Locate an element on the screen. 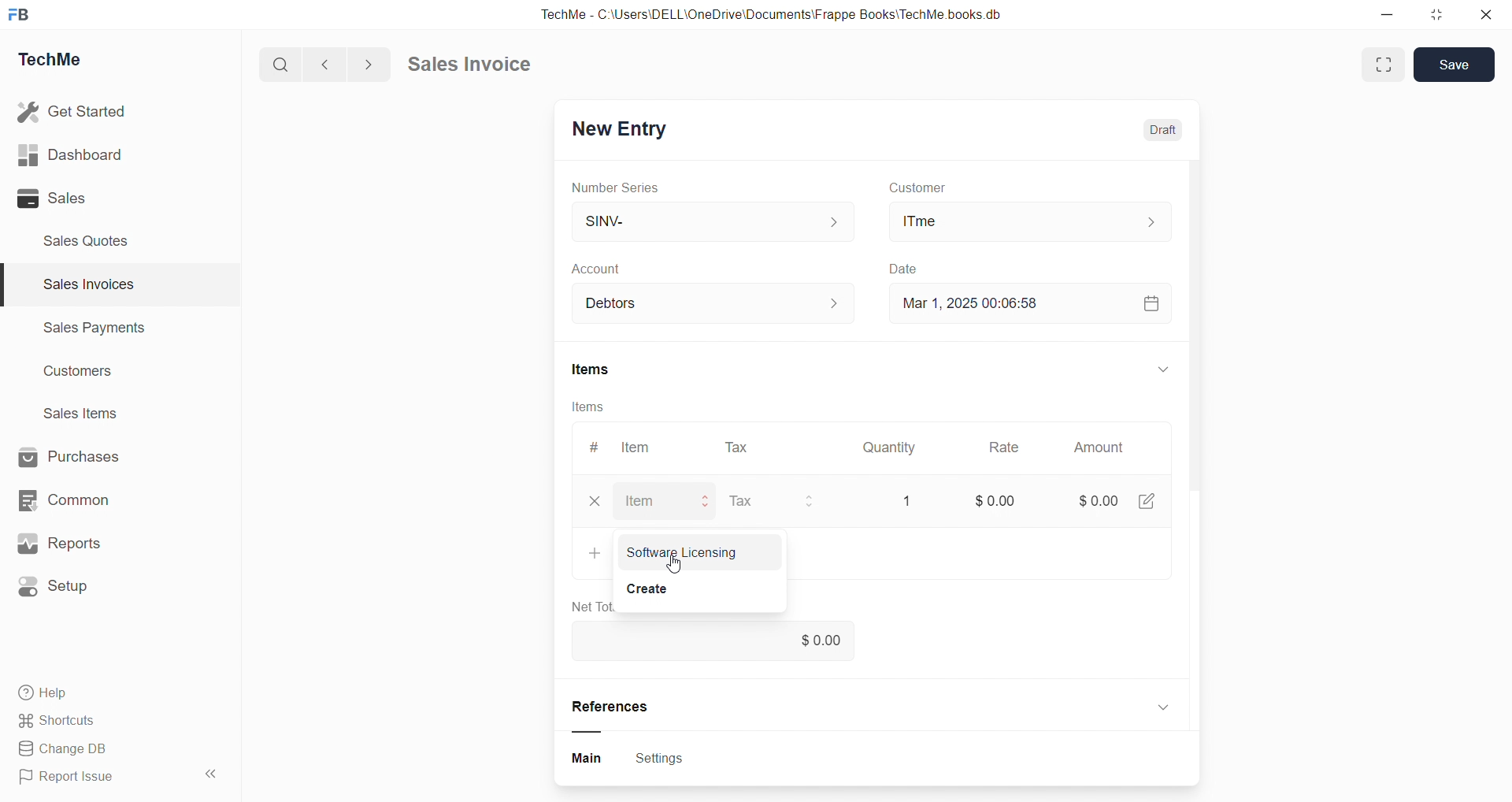 This screenshot has width=1512, height=802. $0.00 is located at coordinates (813, 640).